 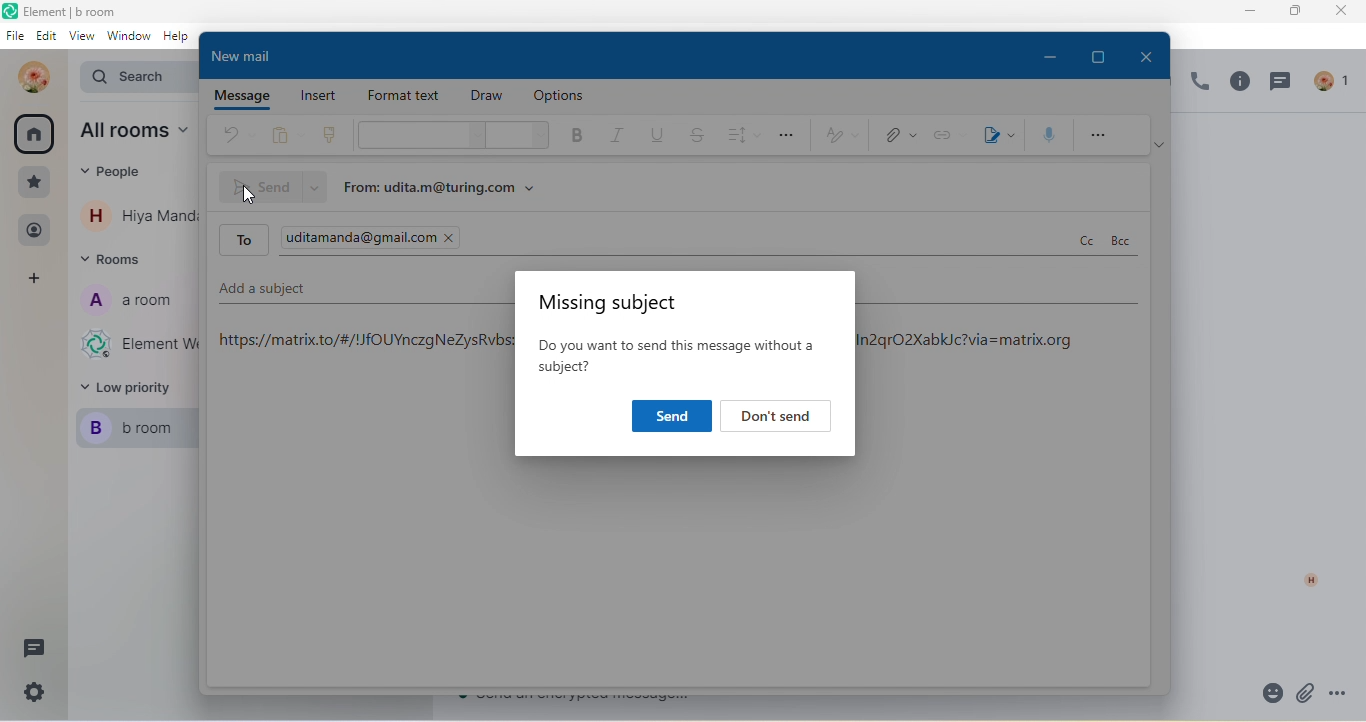 What do you see at coordinates (330, 138) in the screenshot?
I see `clone` at bounding box center [330, 138].